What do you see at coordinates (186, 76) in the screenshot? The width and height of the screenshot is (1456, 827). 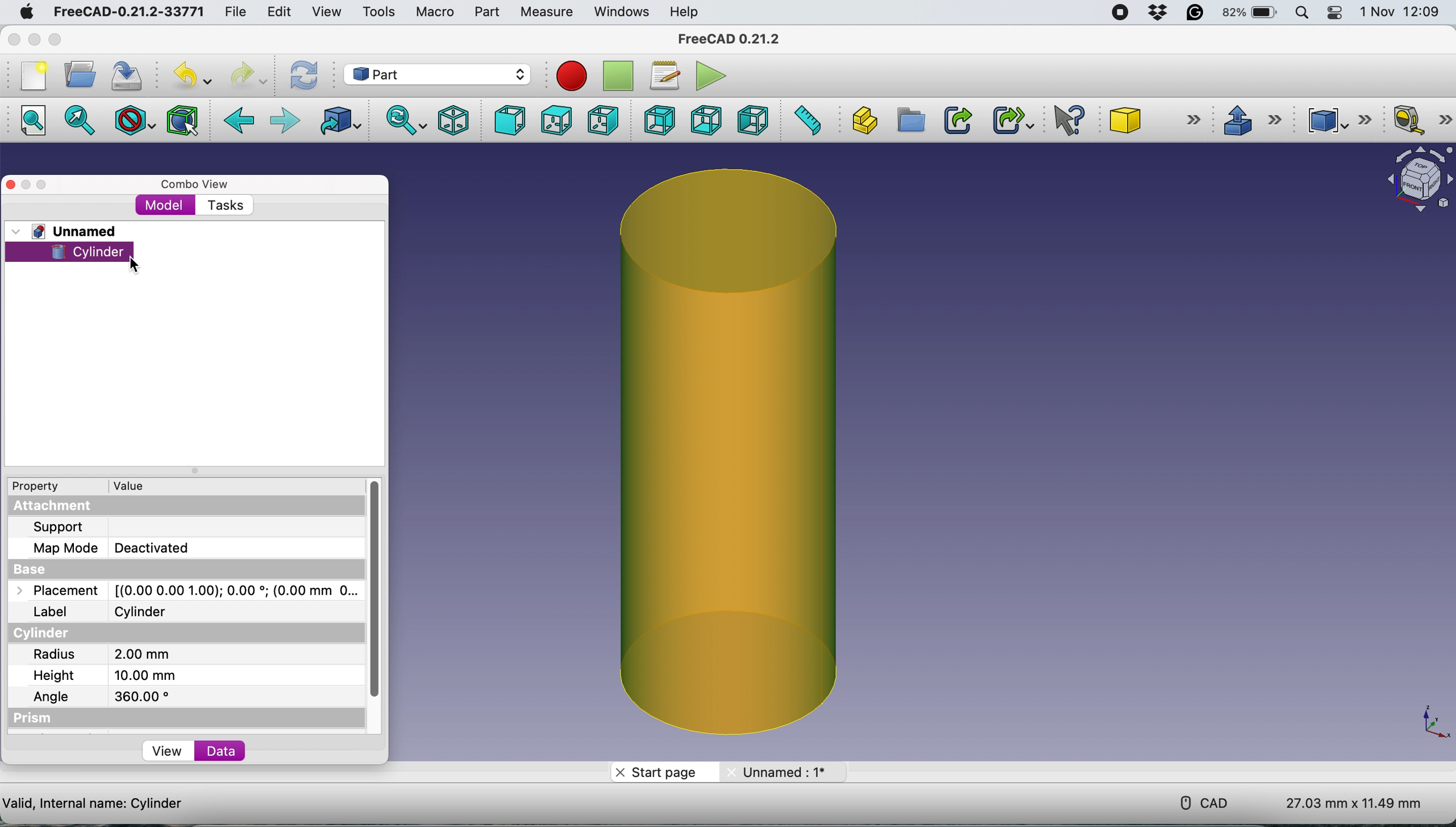 I see `undo` at bounding box center [186, 76].